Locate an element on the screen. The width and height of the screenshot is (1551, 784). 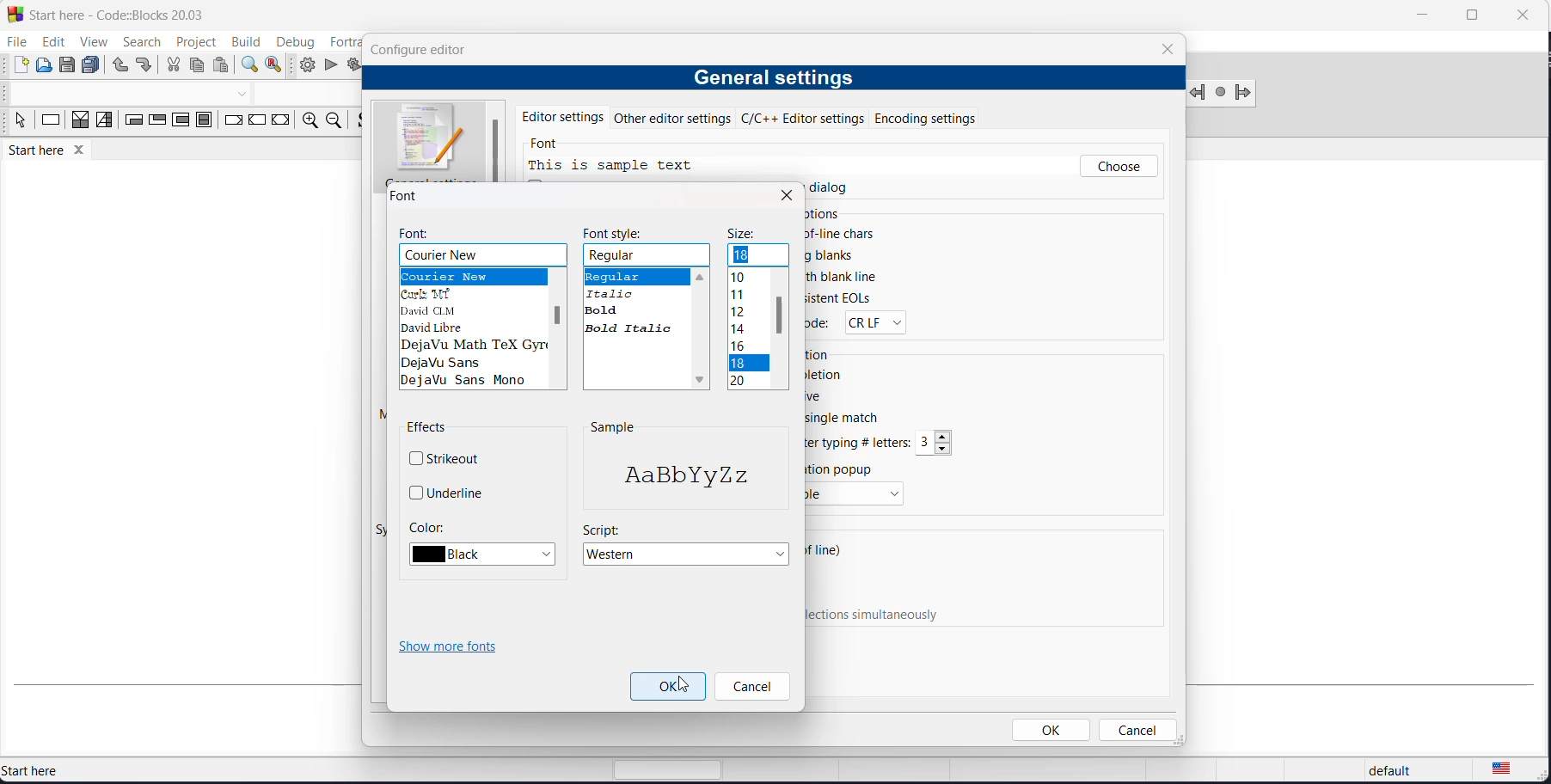
font style options is located at coordinates (636, 301).